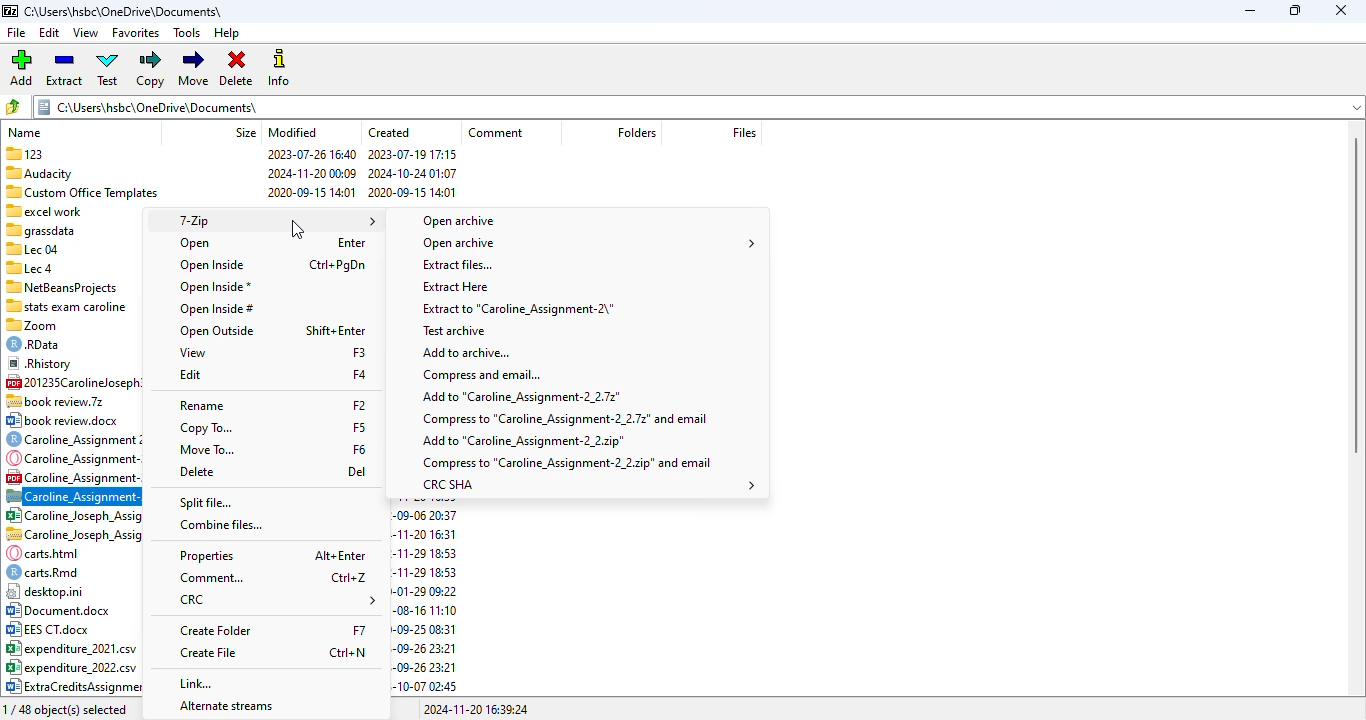  I want to click on test, so click(108, 69).